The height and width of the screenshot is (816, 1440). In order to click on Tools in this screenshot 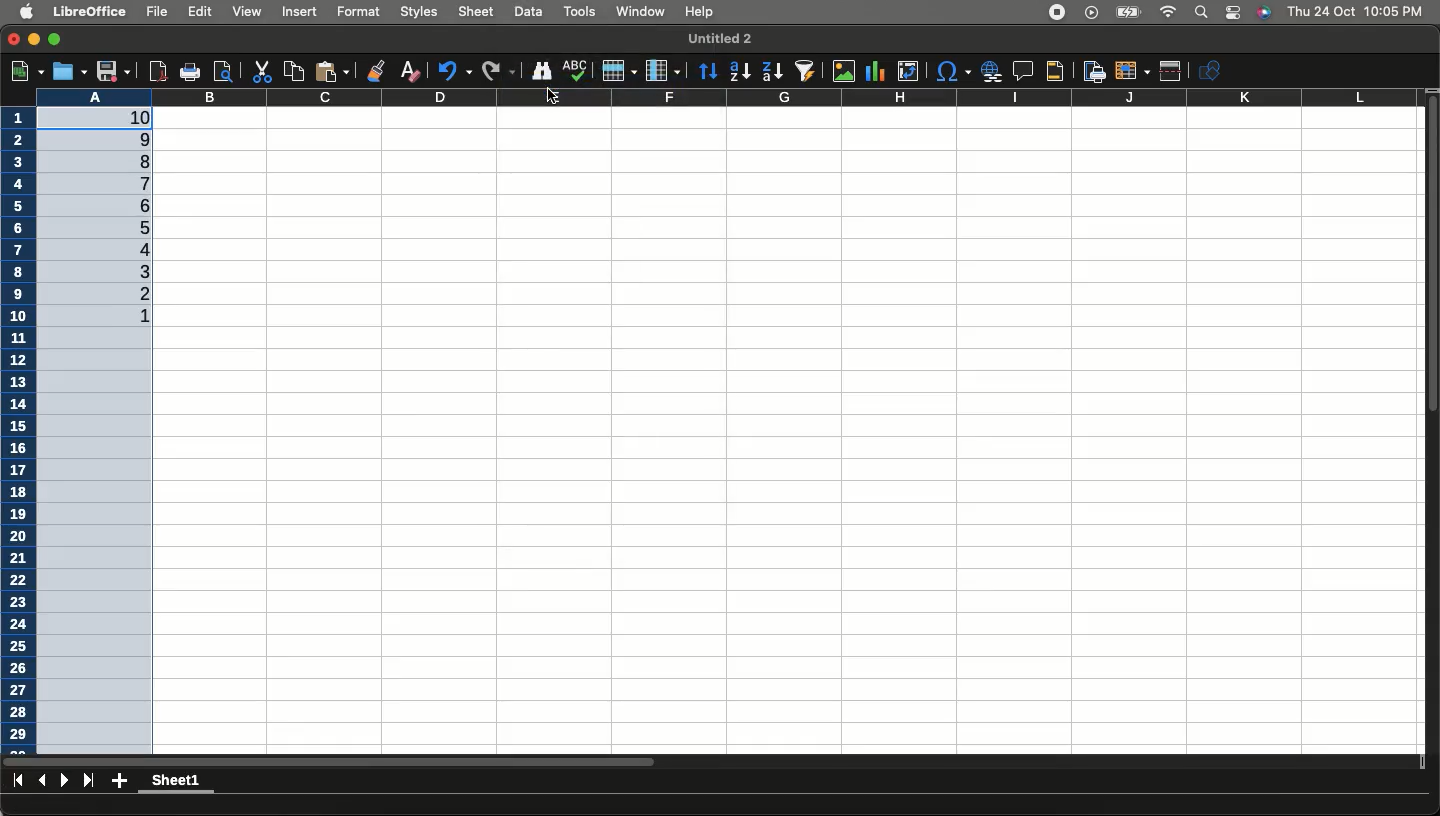, I will do `click(579, 12)`.